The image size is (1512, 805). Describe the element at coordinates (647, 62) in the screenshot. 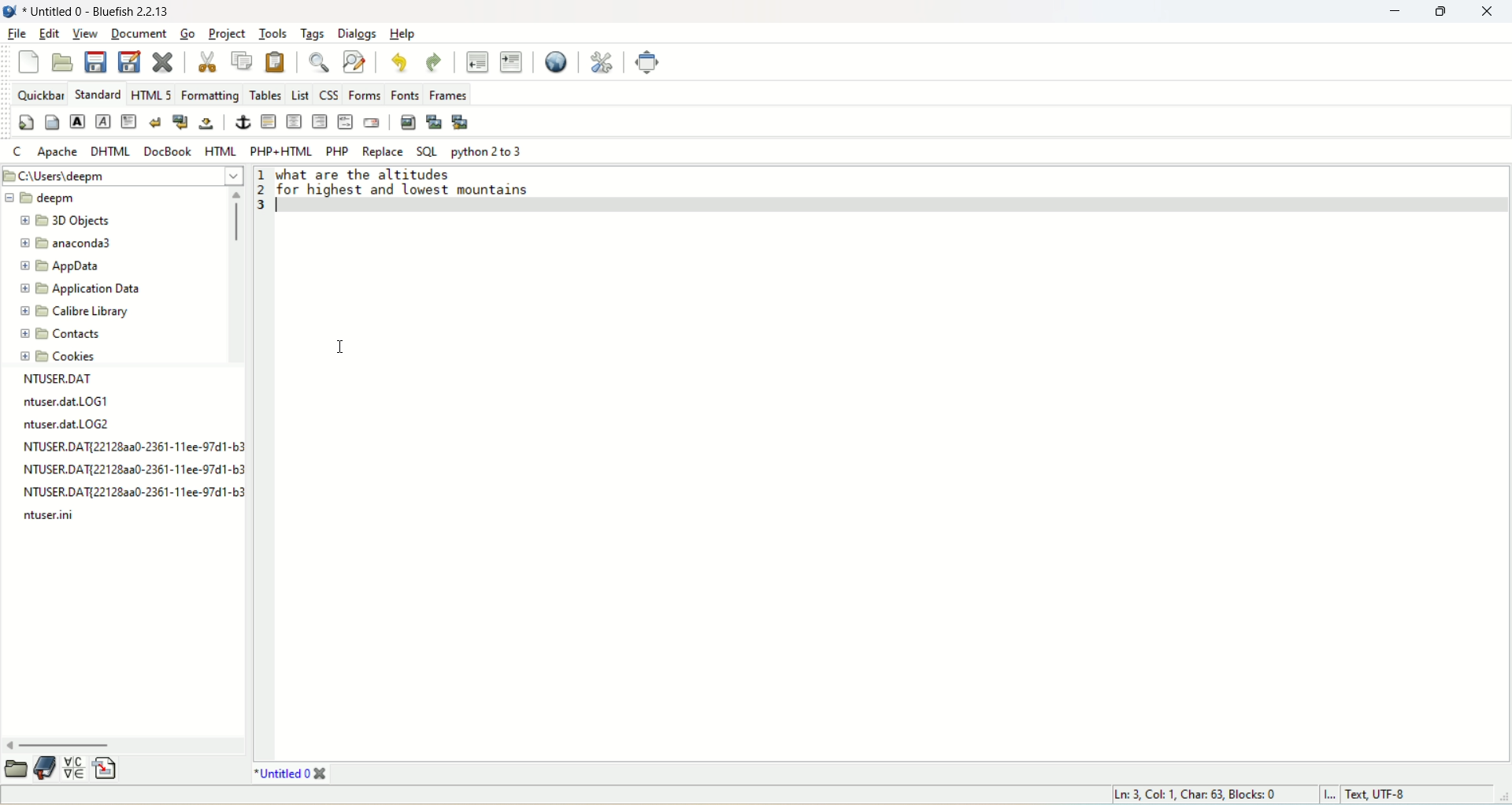

I see `full screen` at that location.